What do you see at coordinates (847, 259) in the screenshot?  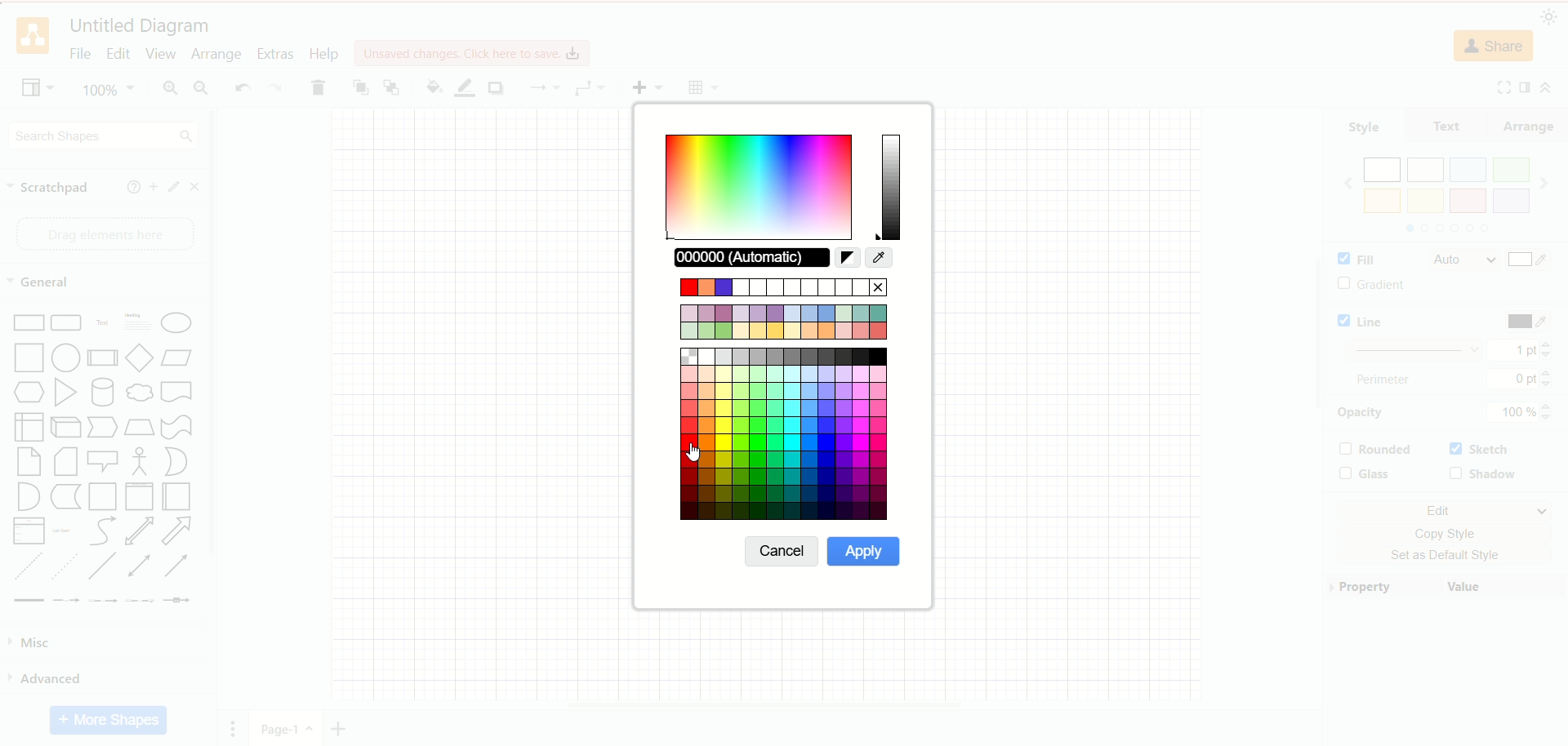 I see `reset` at bounding box center [847, 259].